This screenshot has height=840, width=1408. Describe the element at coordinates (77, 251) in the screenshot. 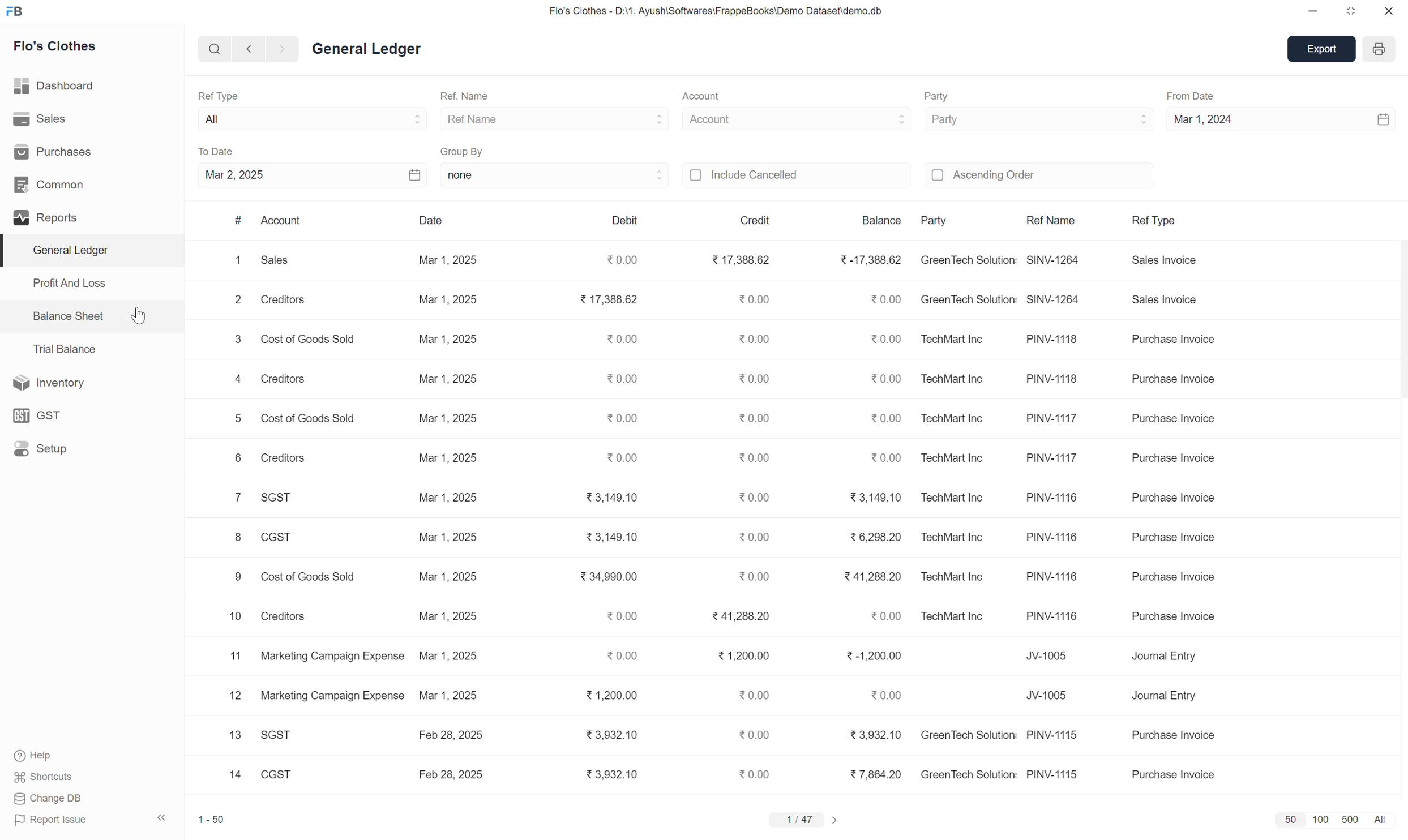

I see `General Ledger` at that location.